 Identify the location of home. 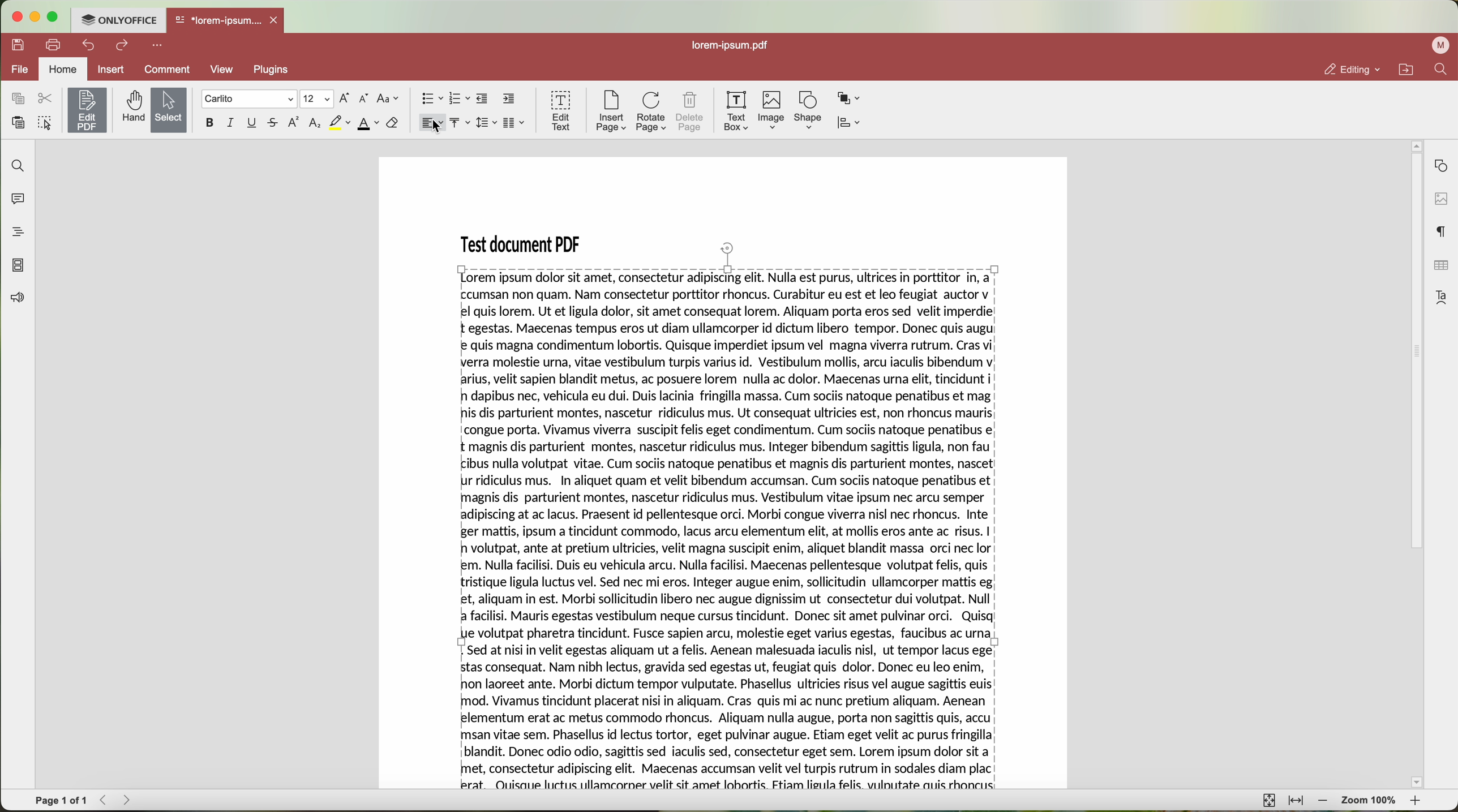
(63, 68).